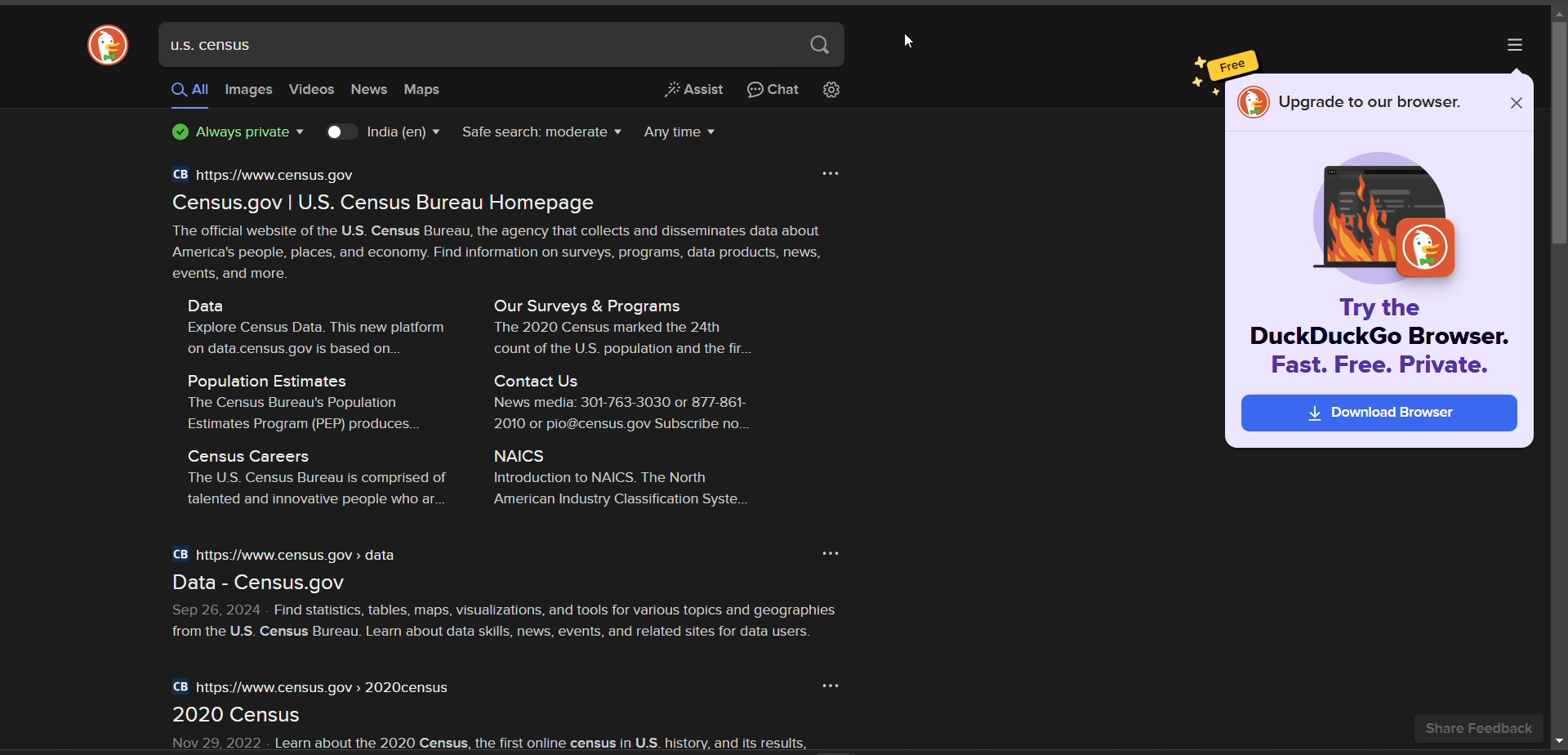 This screenshot has height=755, width=1568. I want to click on Our Surveys & Programs, so click(577, 305).